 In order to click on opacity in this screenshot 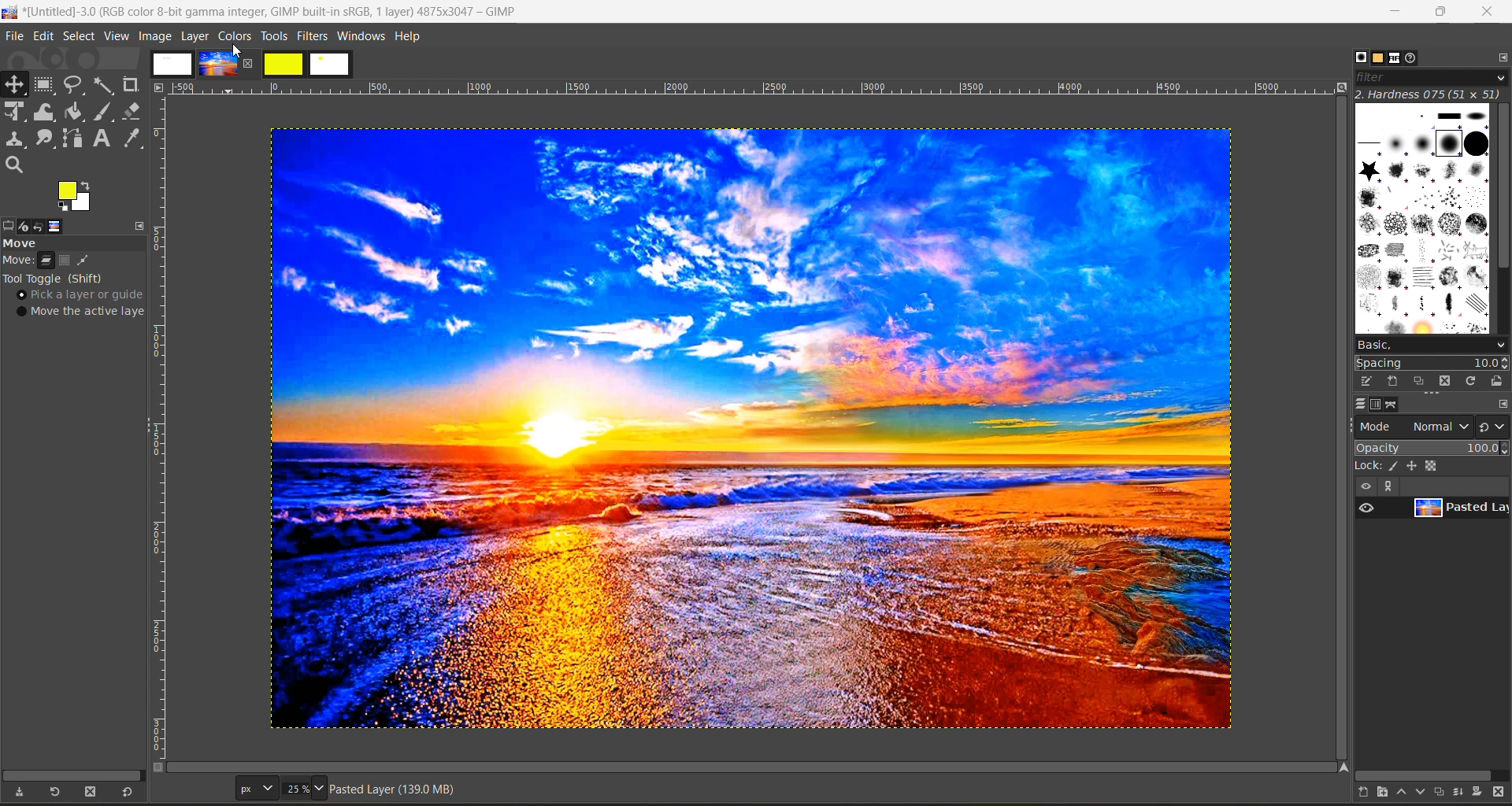, I will do `click(1432, 447)`.